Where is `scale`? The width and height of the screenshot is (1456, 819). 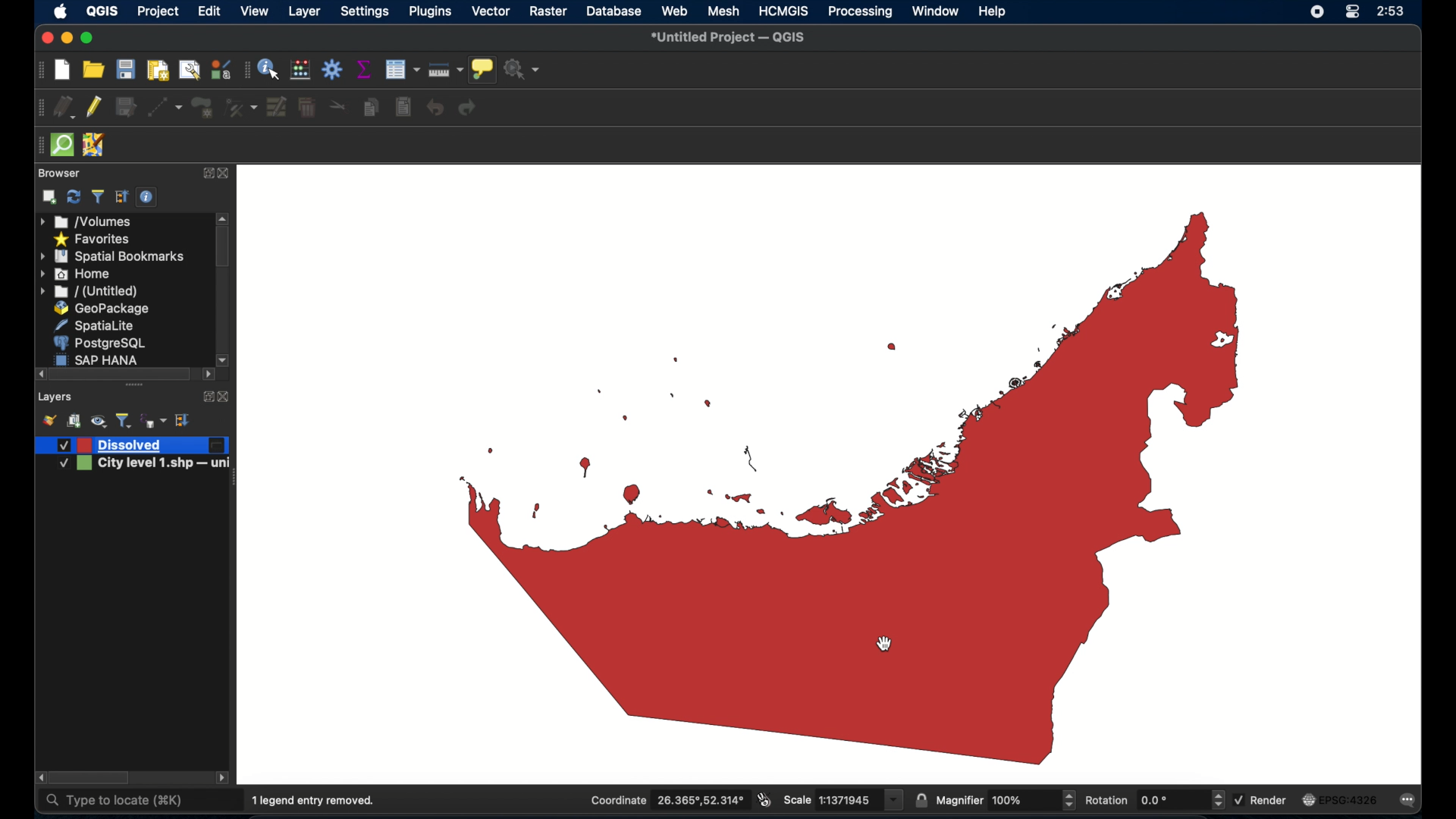
scale is located at coordinates (843, 800).